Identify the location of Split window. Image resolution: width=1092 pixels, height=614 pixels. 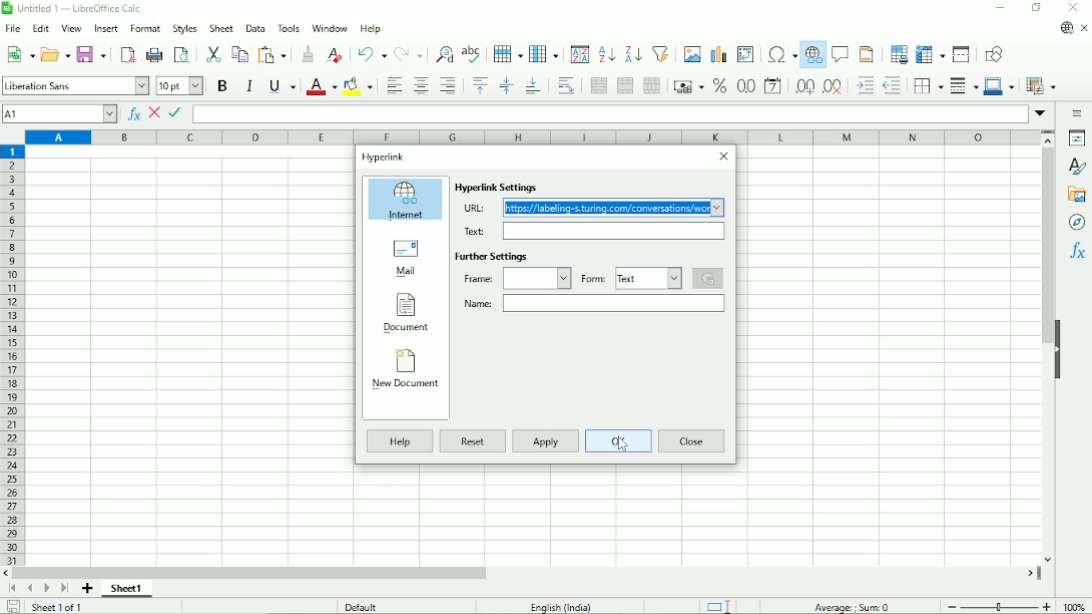
(961, 54).